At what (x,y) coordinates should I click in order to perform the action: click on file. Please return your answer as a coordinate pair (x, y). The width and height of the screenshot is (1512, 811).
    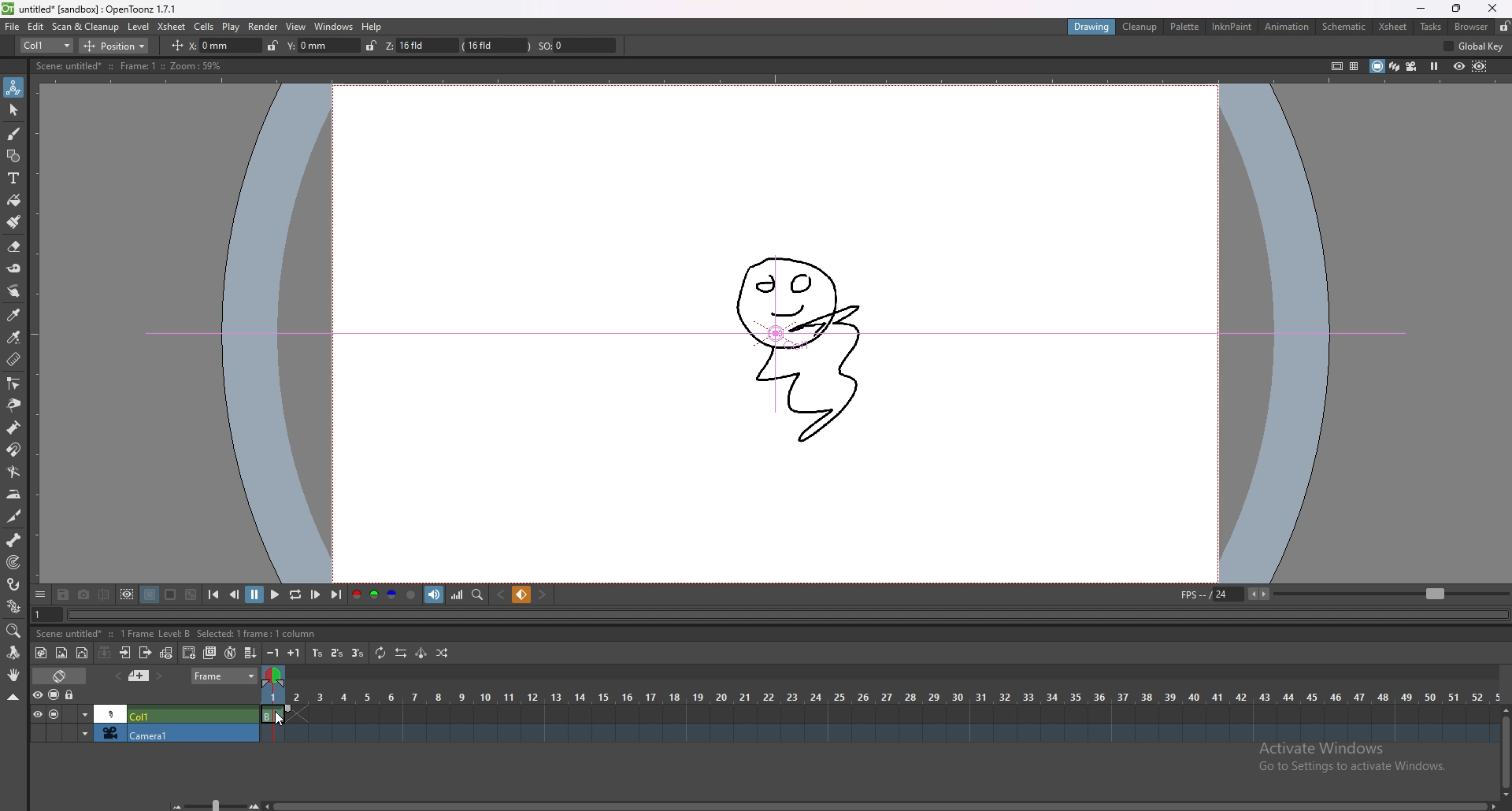
    Looking at the image, I should click on (13, 26).